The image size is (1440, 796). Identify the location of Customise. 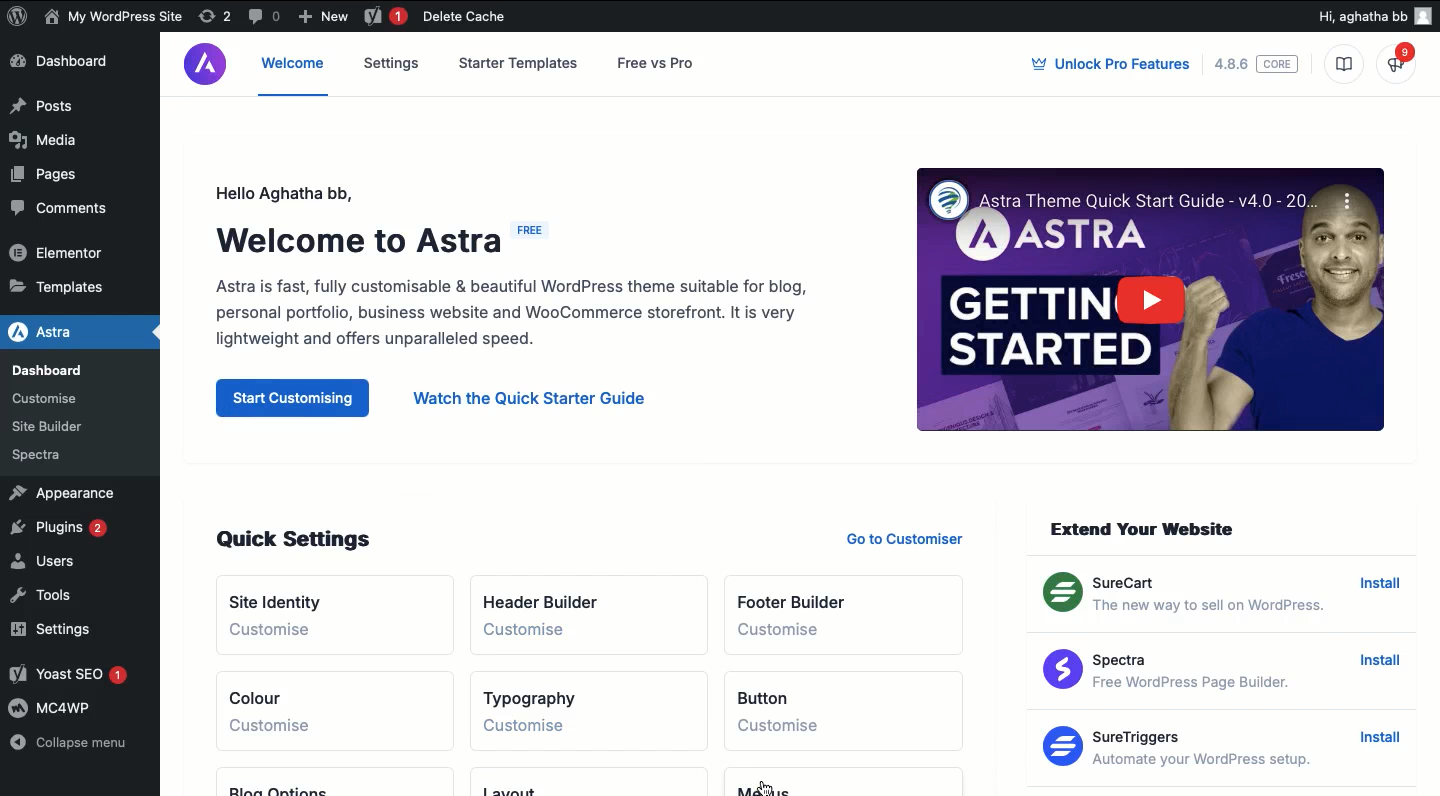
(543, 633).